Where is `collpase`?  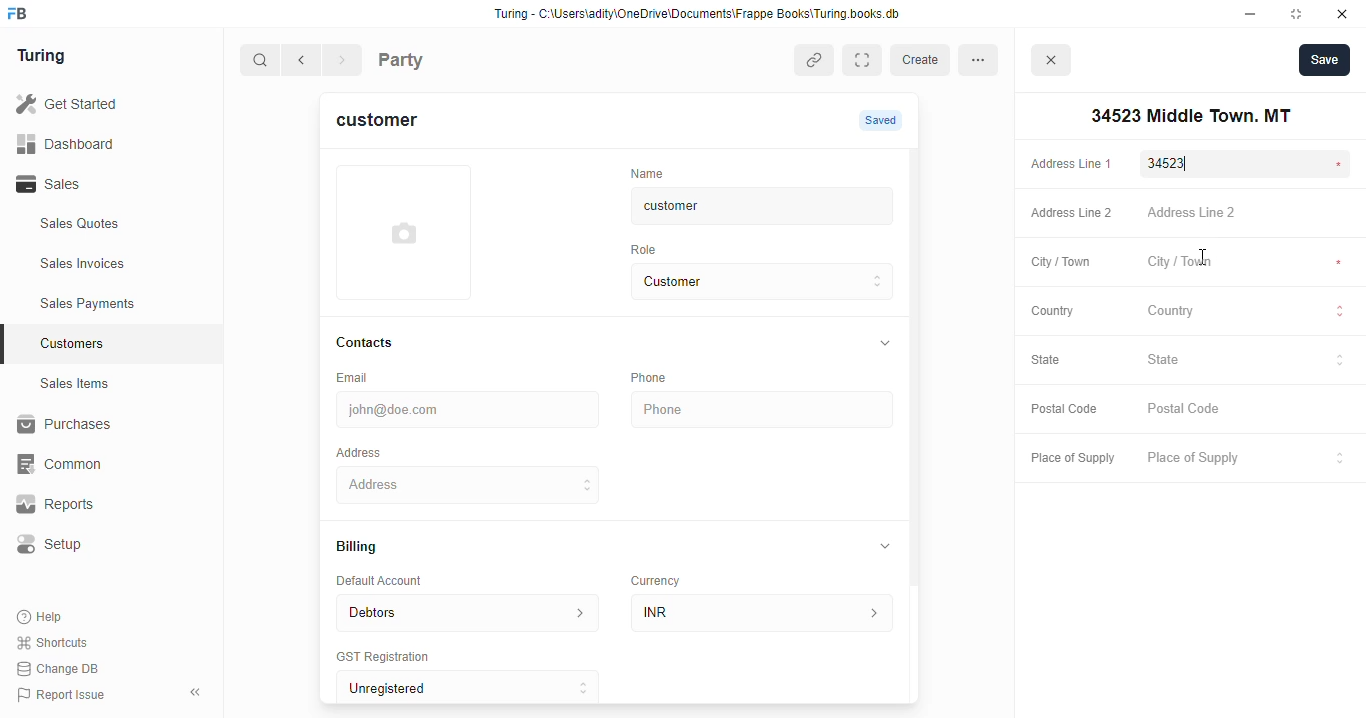 collpase is located at coordinates (195, 692).